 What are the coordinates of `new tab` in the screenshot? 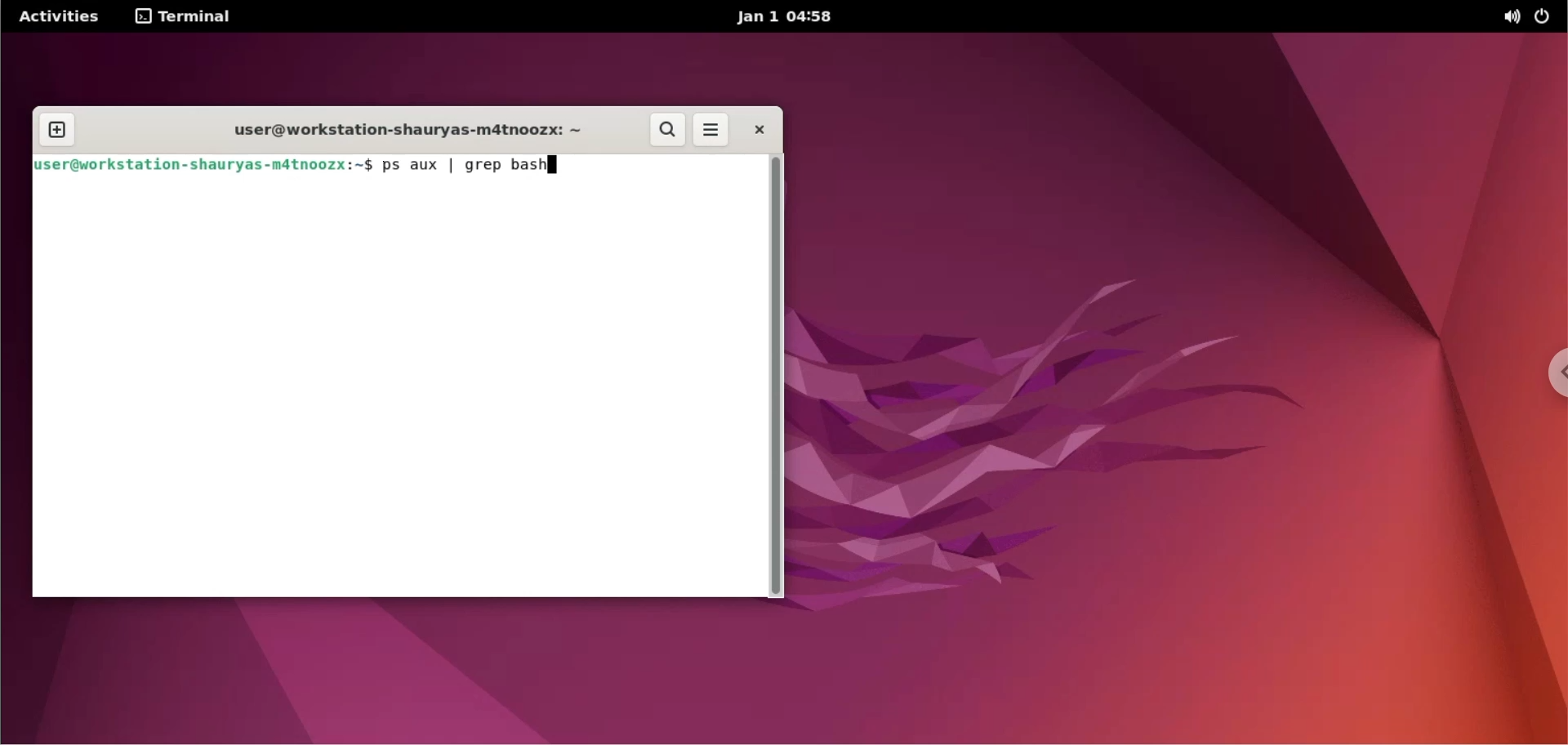 It's located at (55, 132).